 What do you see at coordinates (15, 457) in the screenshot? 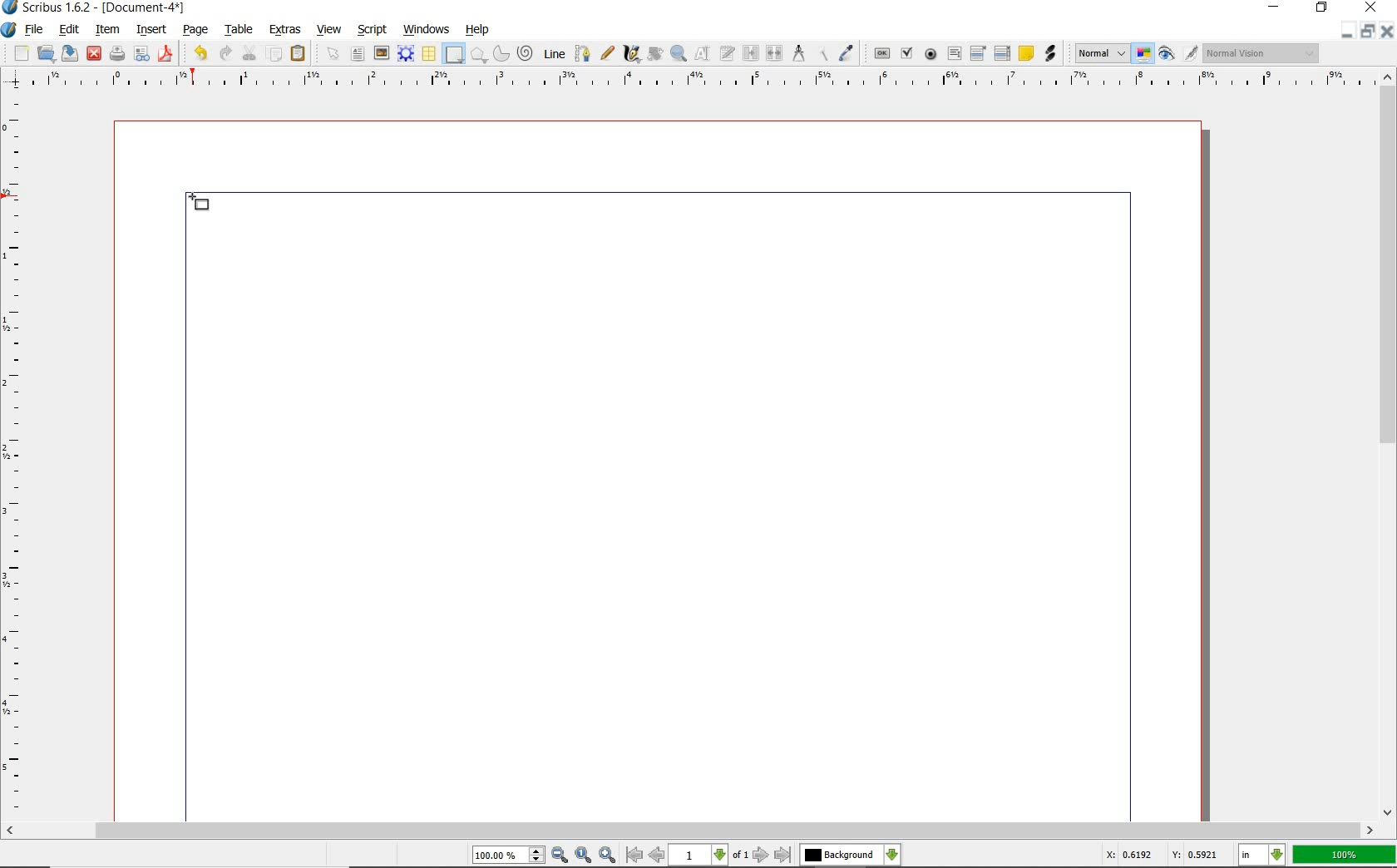
I see `ruler` at bounding box center [15, 457].